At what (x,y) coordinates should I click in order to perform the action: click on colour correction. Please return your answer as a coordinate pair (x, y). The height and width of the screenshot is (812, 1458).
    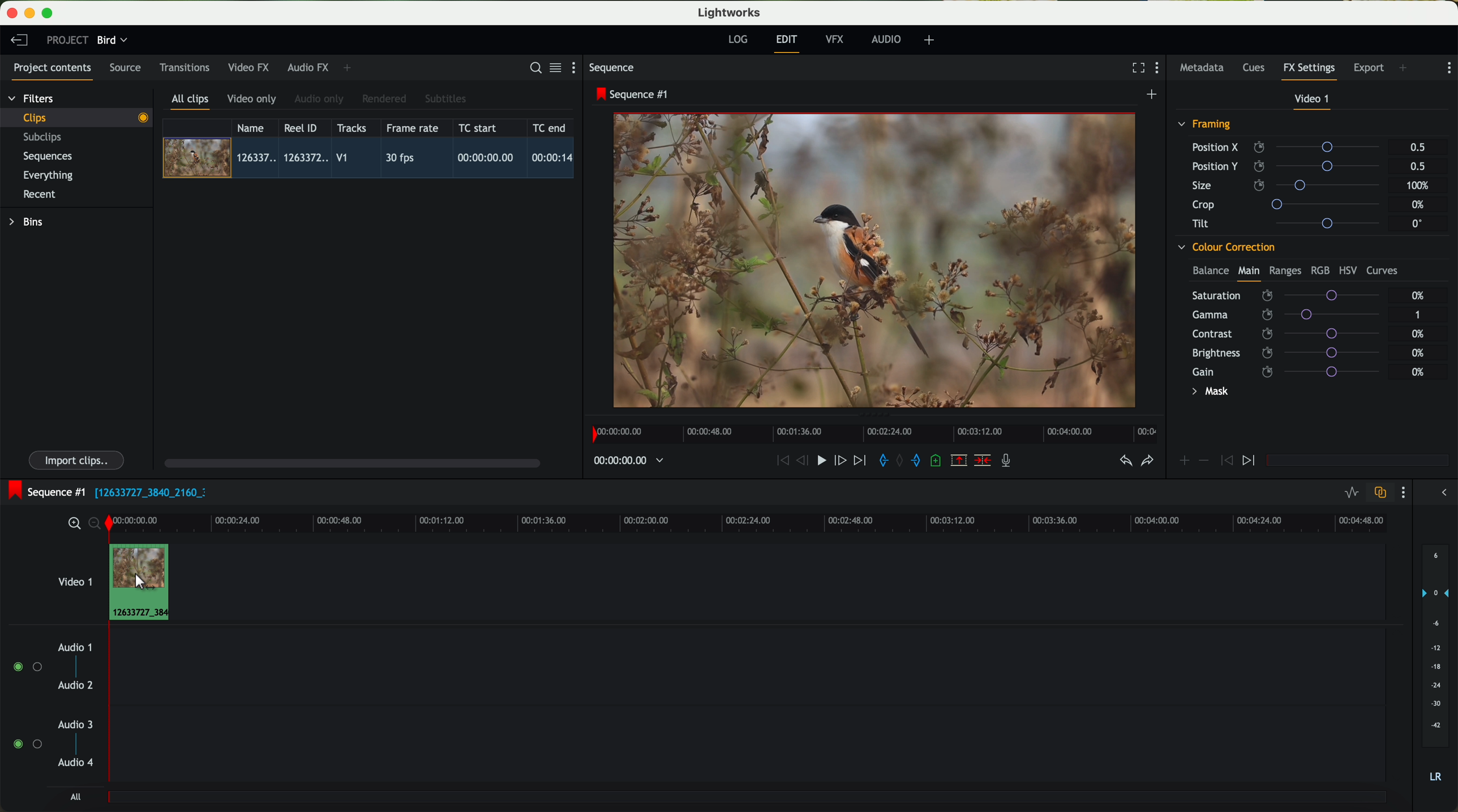
    Looking at the image, I should click on (1225, 247).